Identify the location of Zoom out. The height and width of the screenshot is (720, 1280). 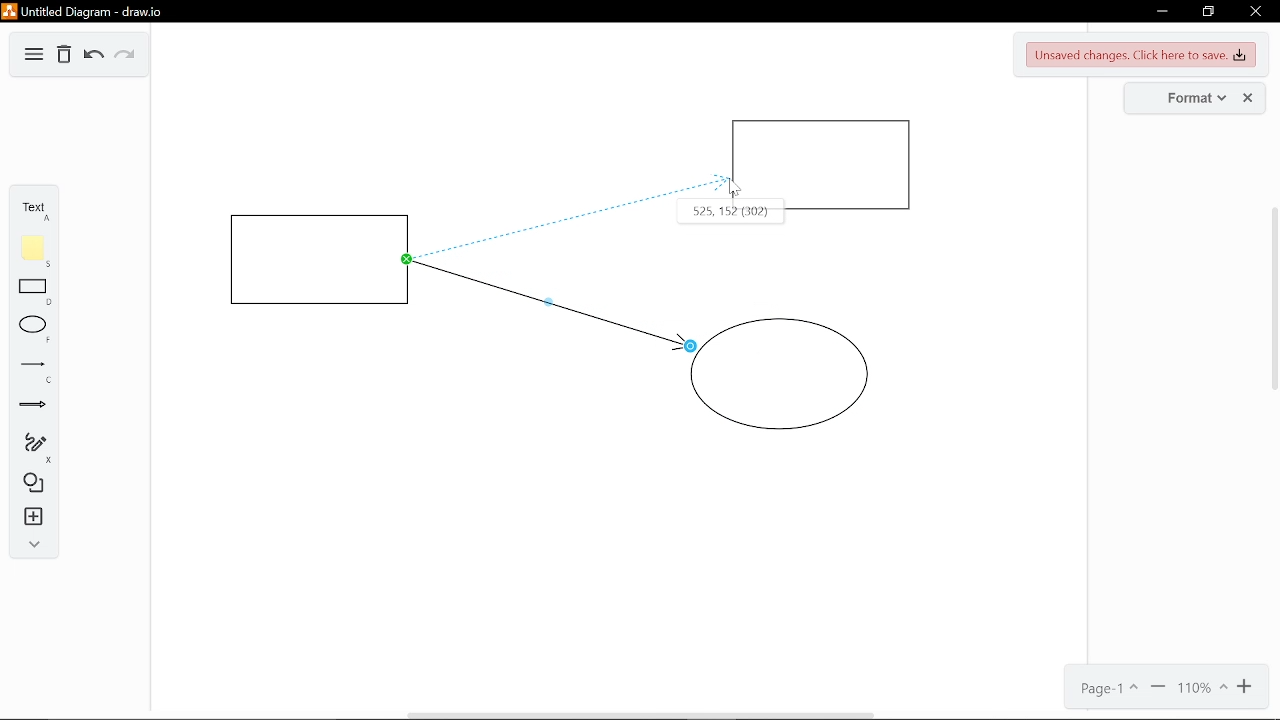
(1156, 689).